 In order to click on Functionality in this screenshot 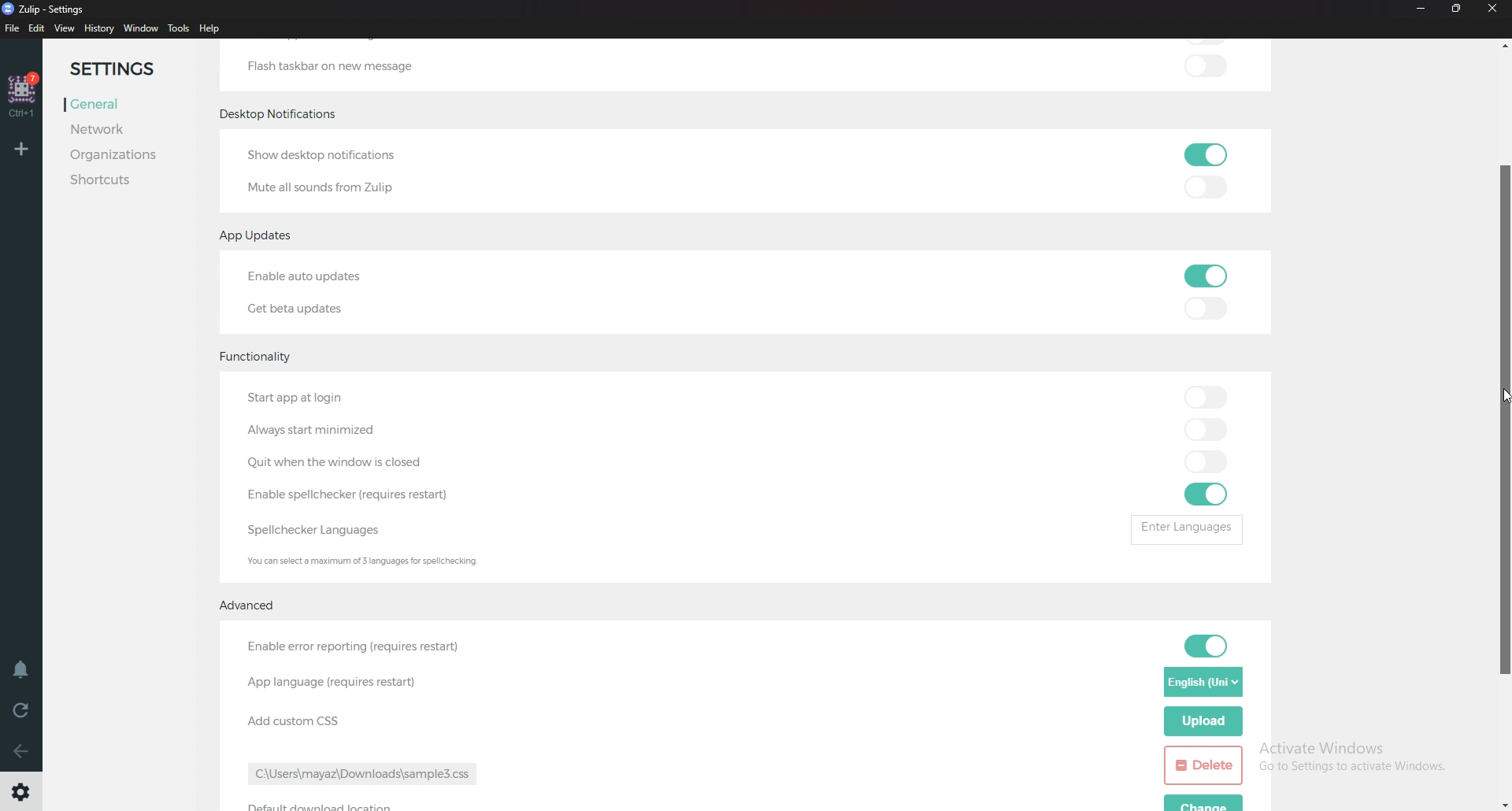, I will do `click(264, 353)`.